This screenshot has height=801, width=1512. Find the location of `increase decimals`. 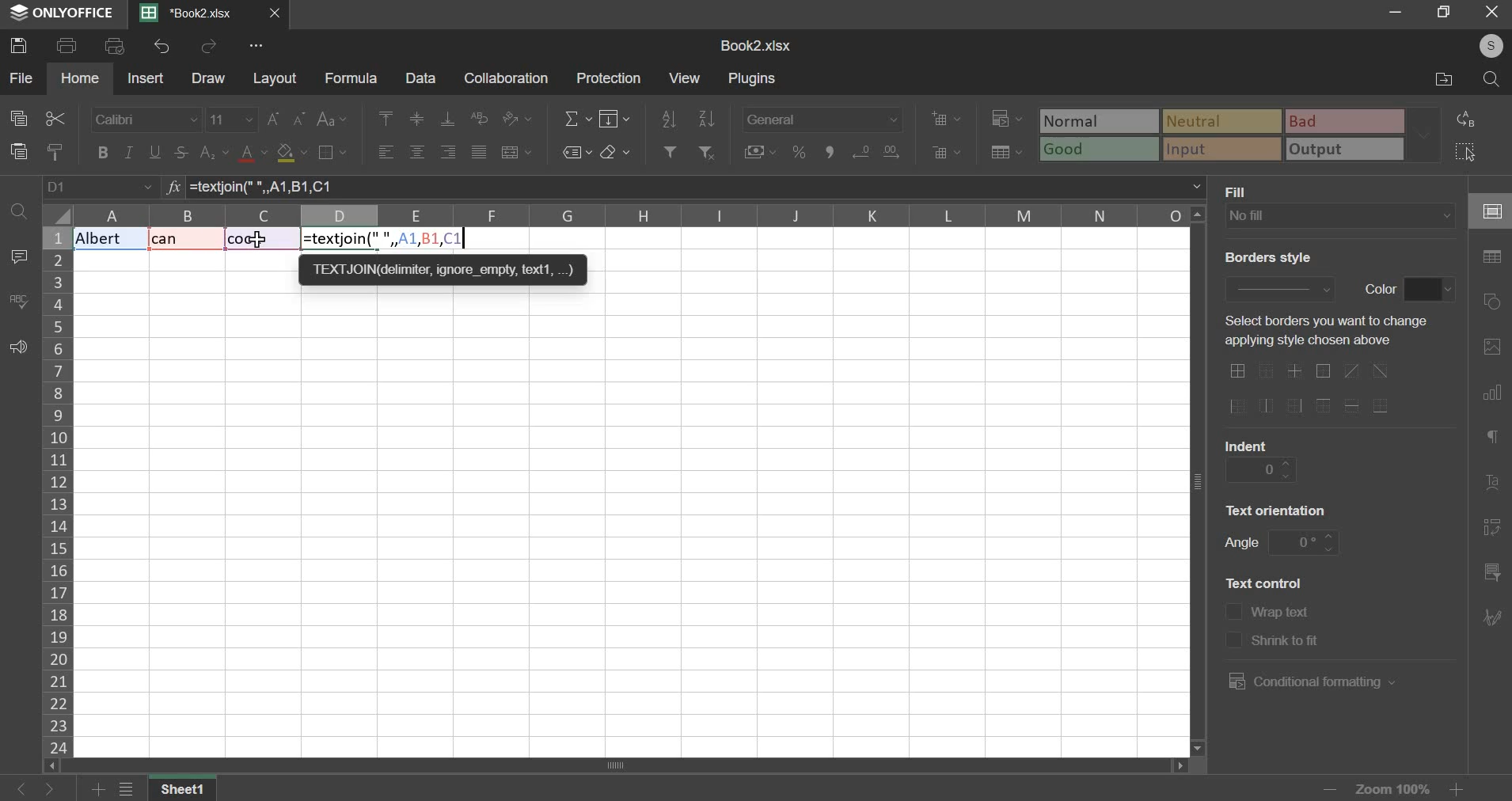

increase decimals is located at coordinates (861, 150).